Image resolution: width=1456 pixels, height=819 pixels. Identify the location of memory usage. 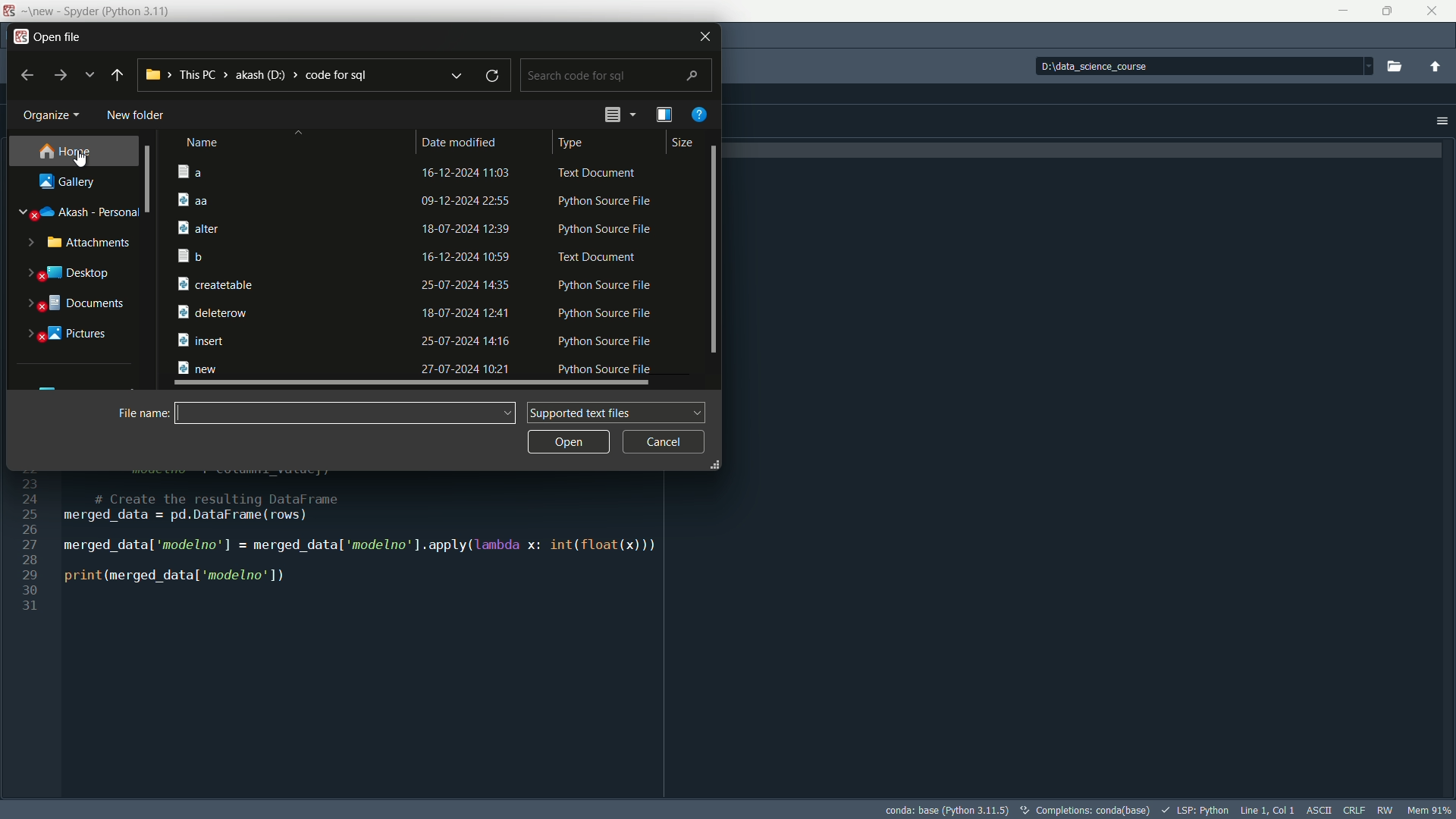
(1428, 810).